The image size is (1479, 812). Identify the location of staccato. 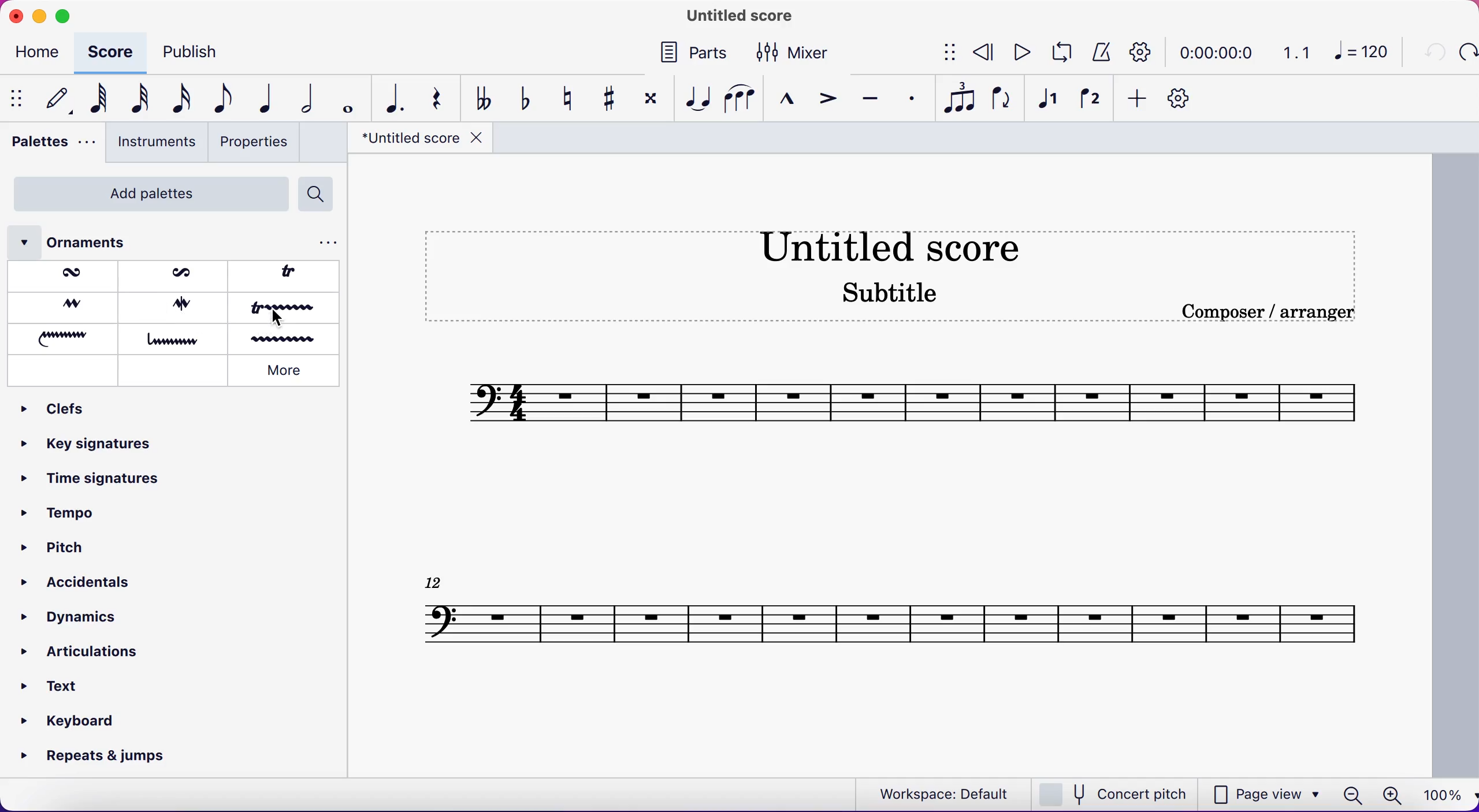
(909, 98).